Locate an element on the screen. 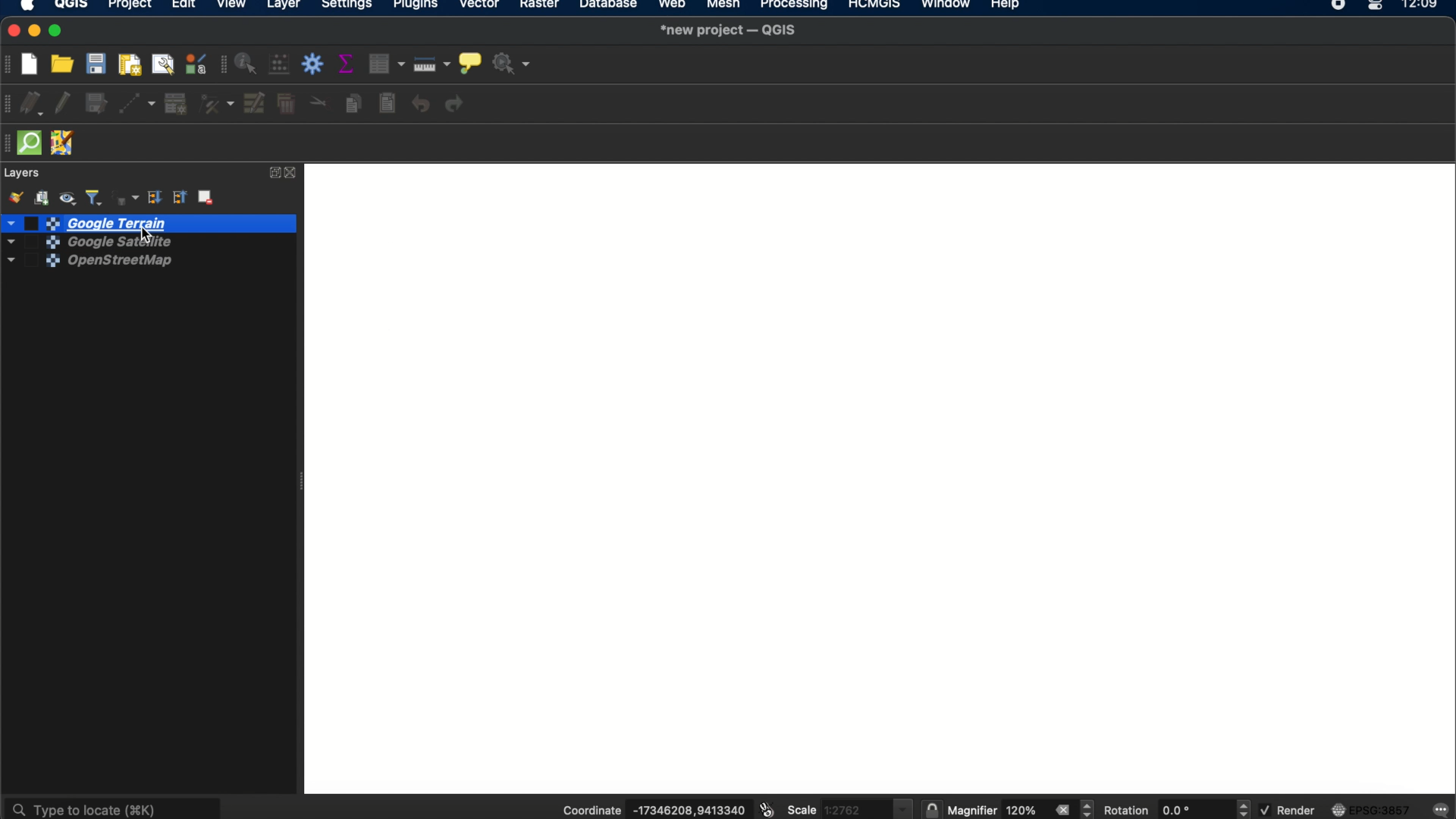  view is located at coordinates (233, 6).